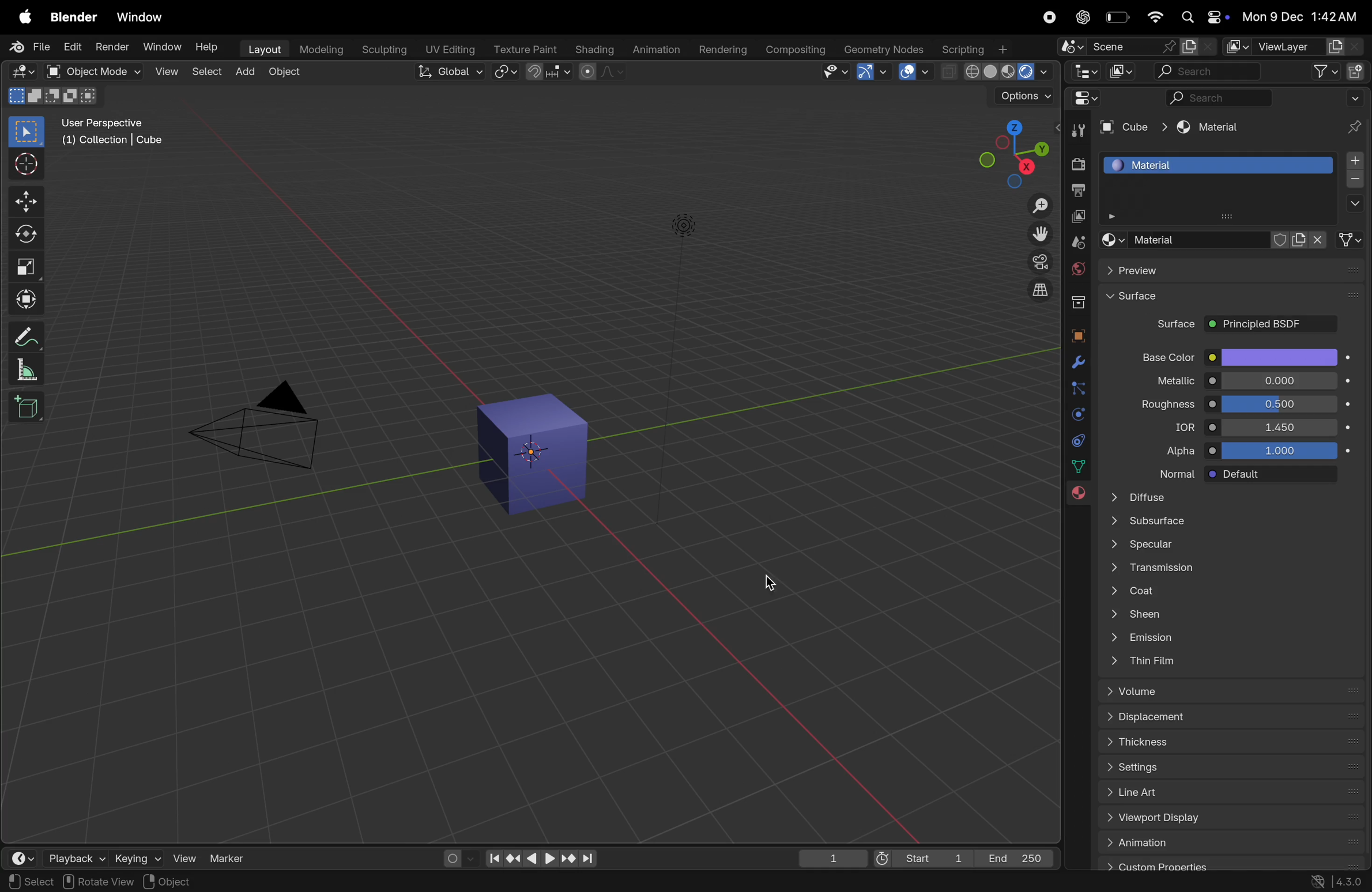 This screenshot has width=1372, height=892. I want to click on record, so click(1046, 17).